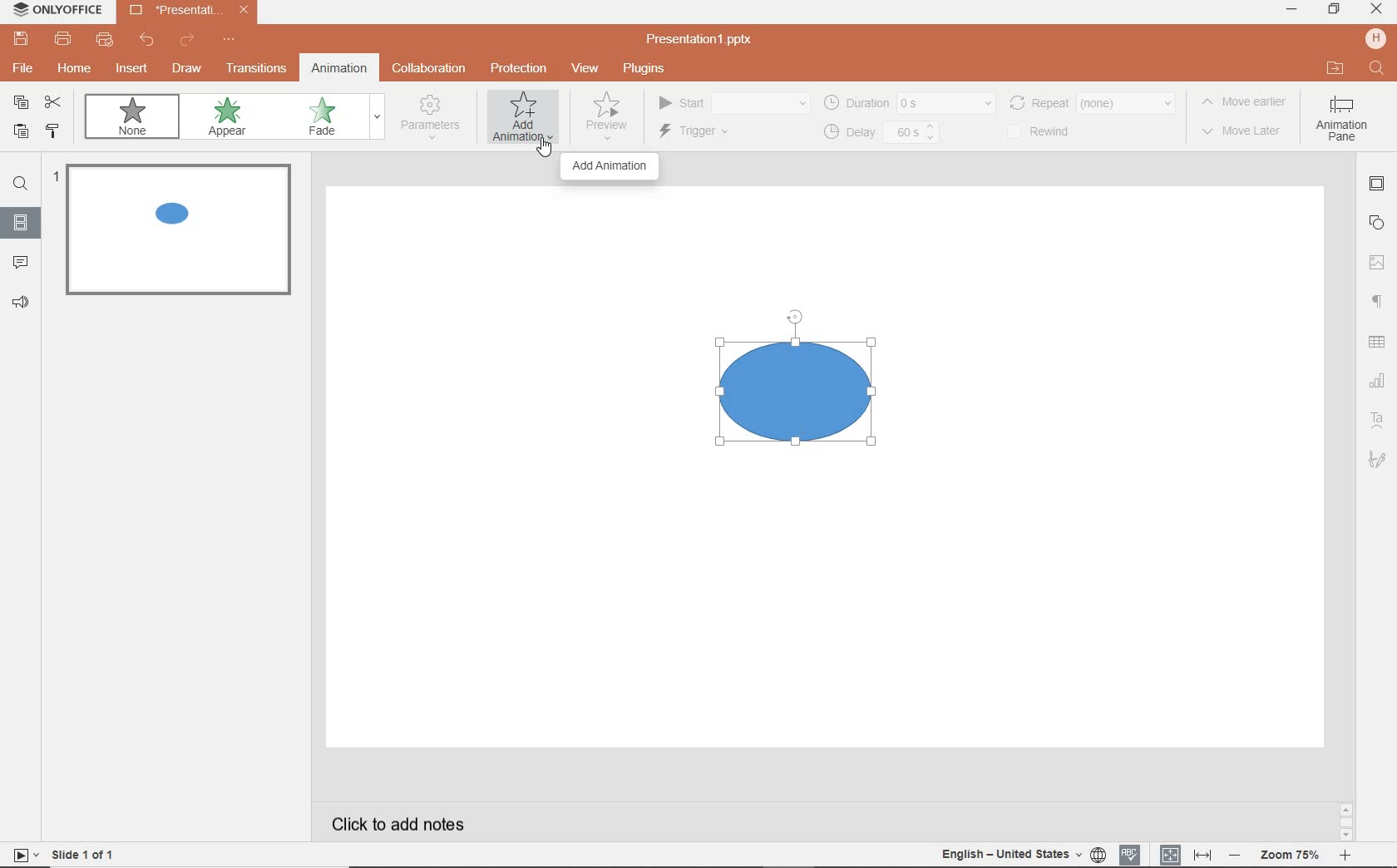  I want to click on rewind, so click(1049, 132).